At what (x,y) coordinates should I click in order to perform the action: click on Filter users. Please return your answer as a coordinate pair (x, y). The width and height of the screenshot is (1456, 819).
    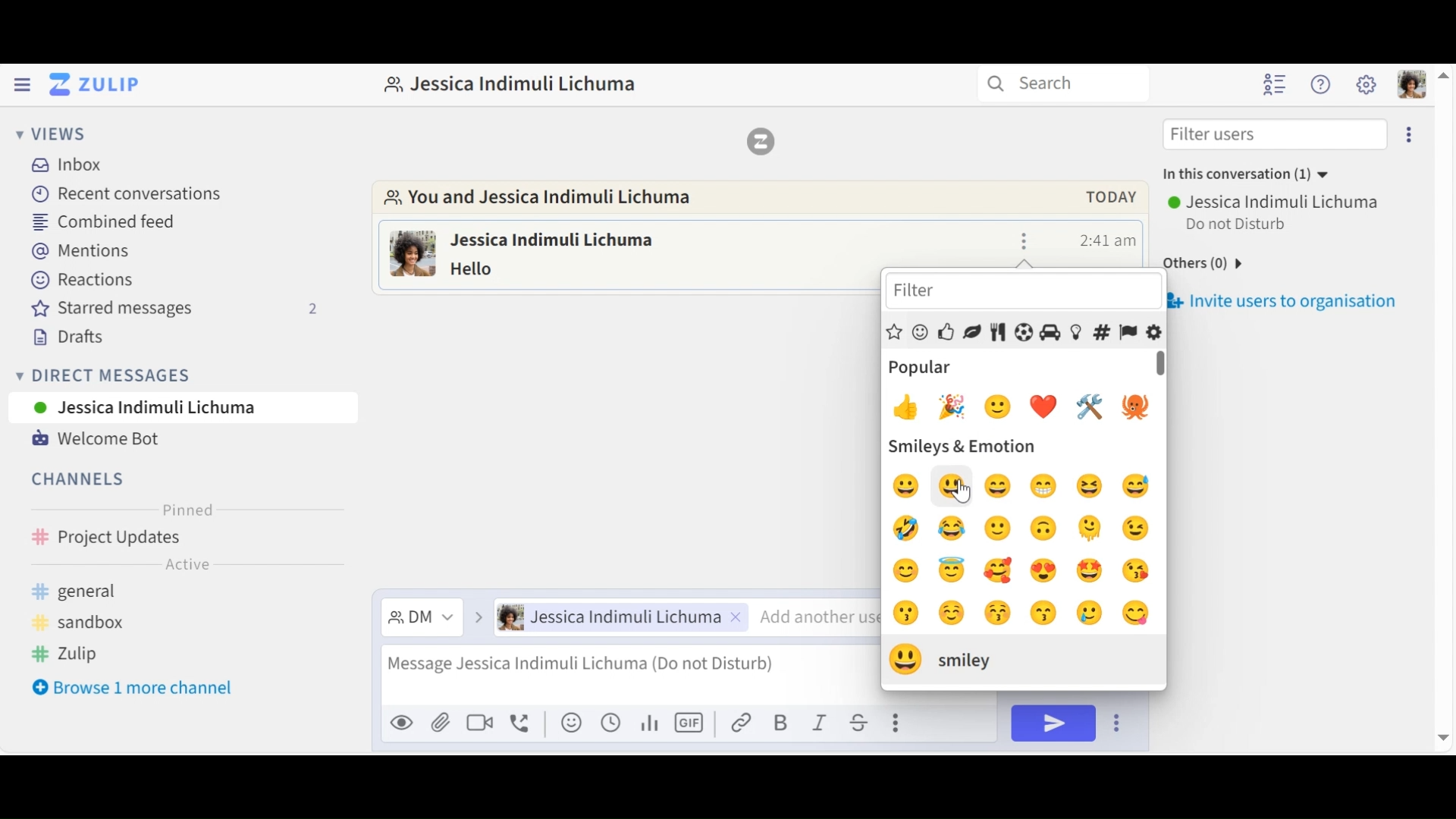
    Looking at the image, I should click on (1276, 133).